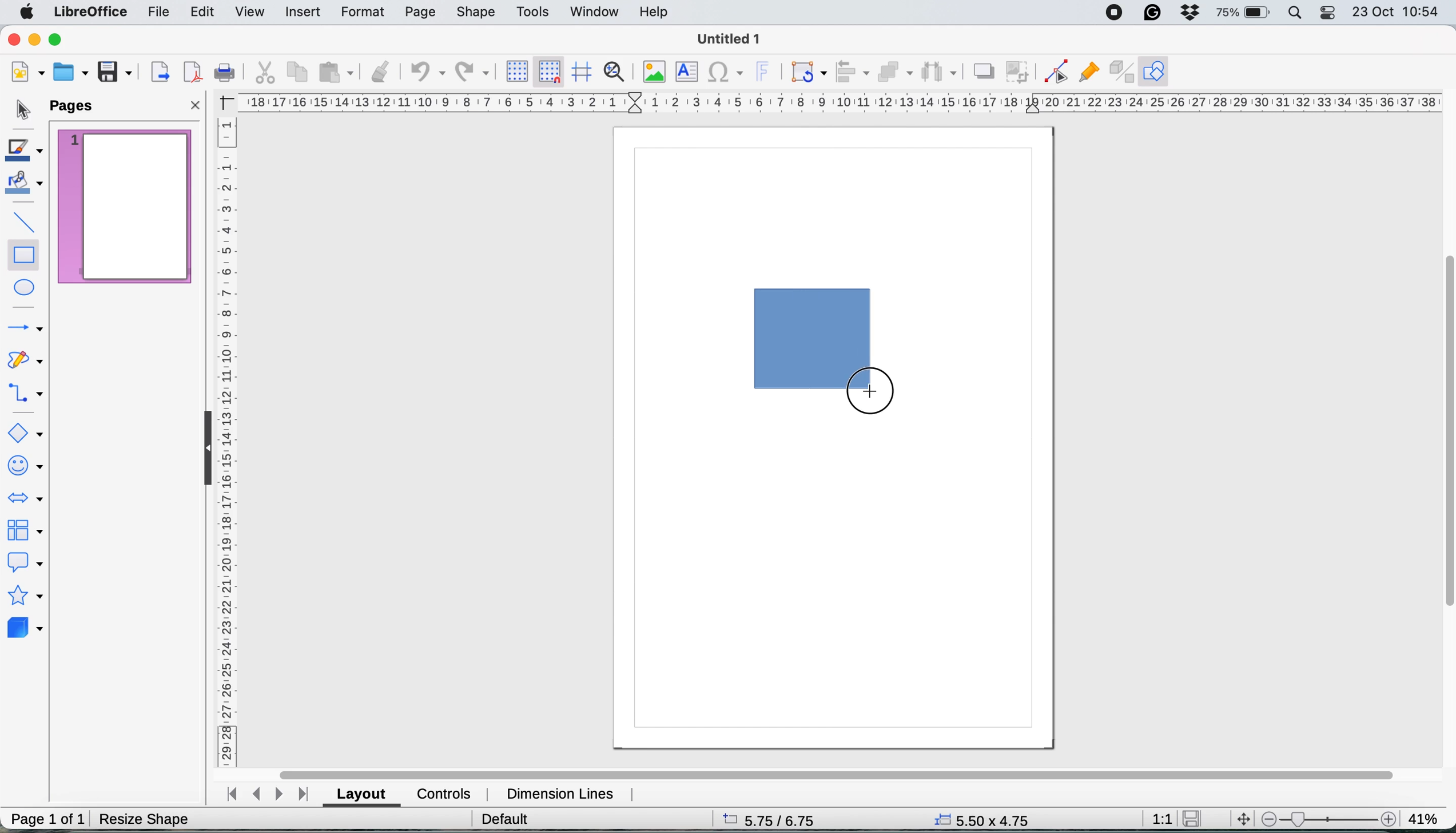 The height and width of the screenshot is (833, 1456). I want to click on redp, so click(469, 73).